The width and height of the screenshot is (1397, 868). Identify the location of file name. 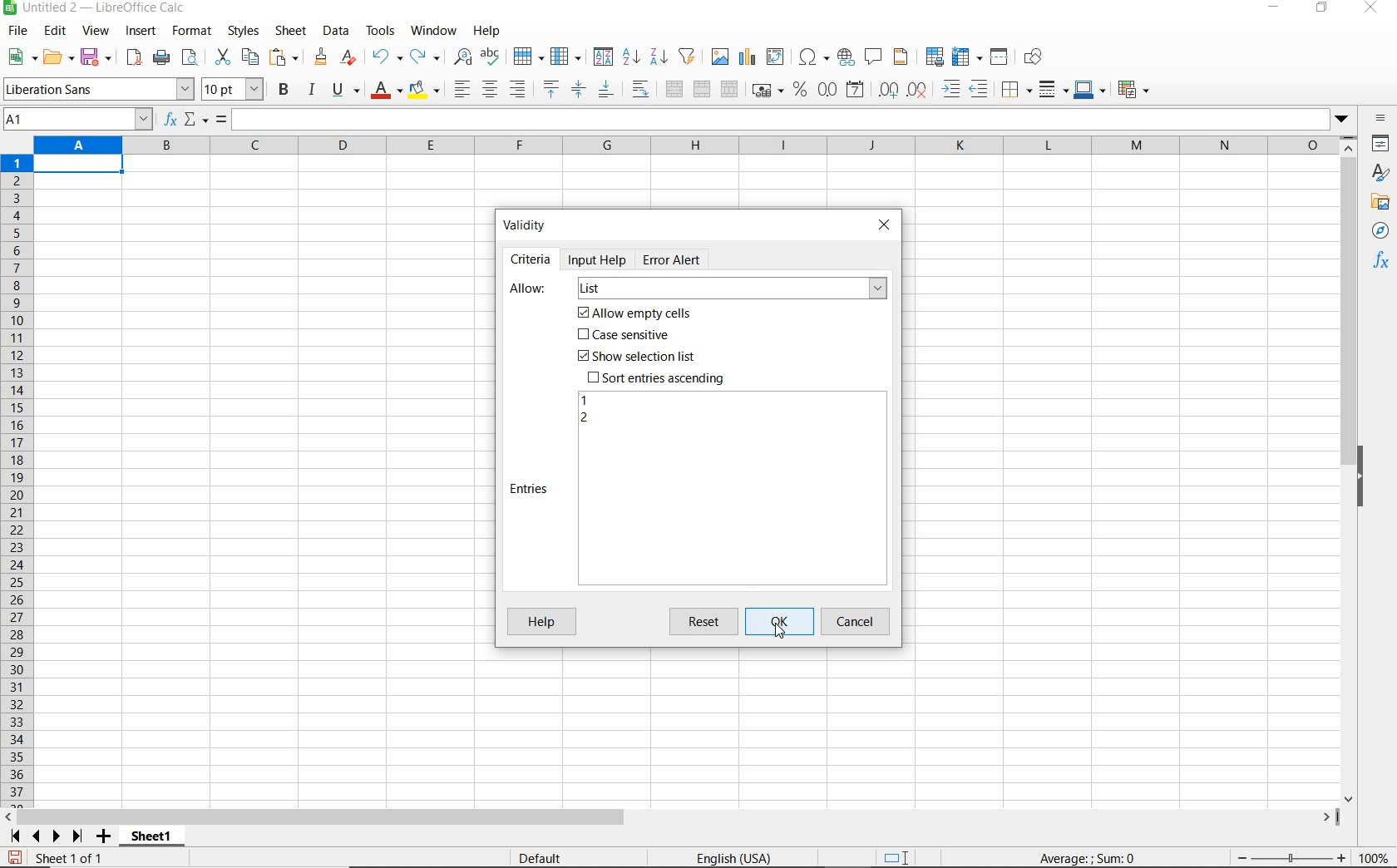
(95, 9).